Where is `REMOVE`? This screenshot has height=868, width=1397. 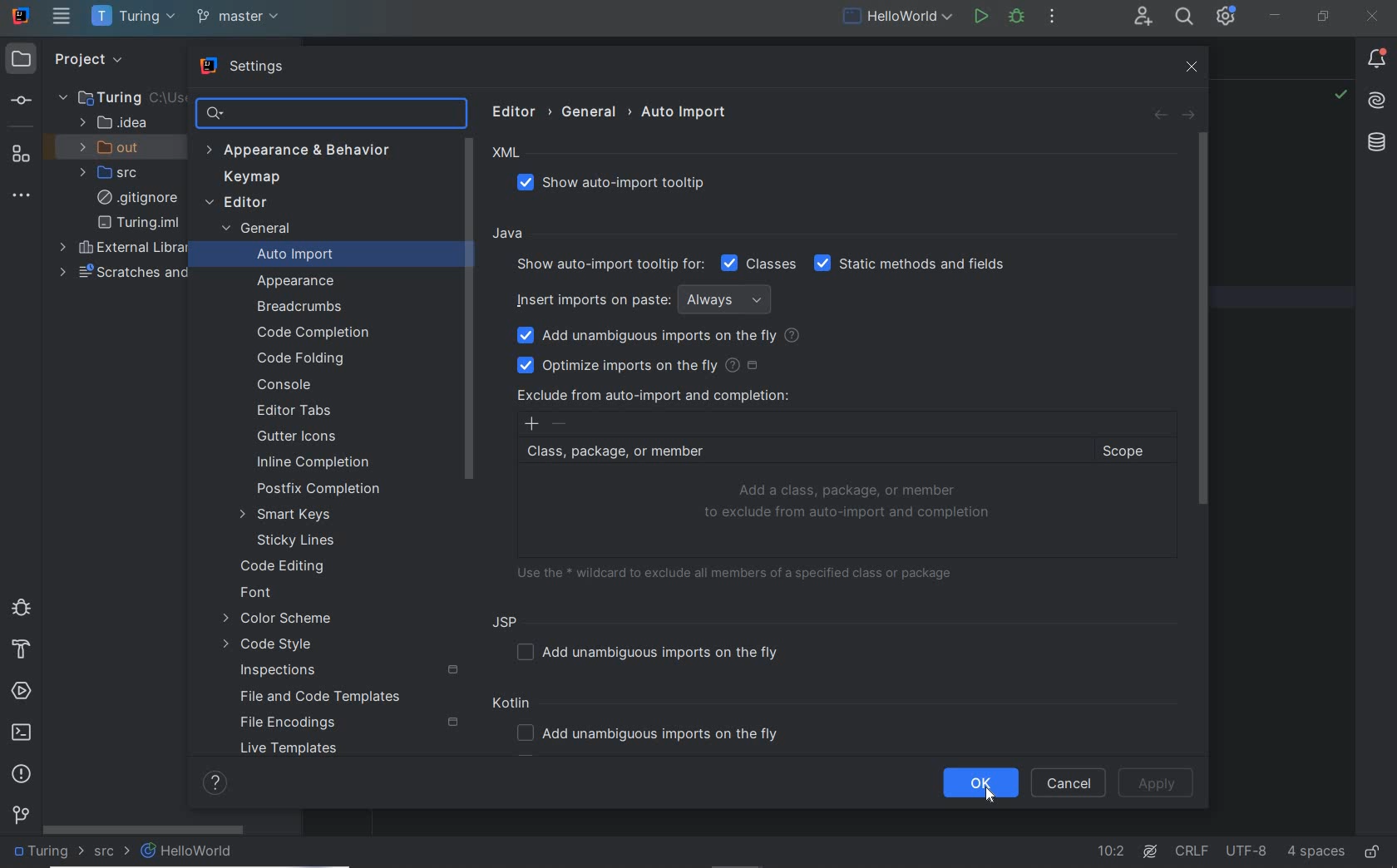
REMOVE is located at coordinates (560, 424).